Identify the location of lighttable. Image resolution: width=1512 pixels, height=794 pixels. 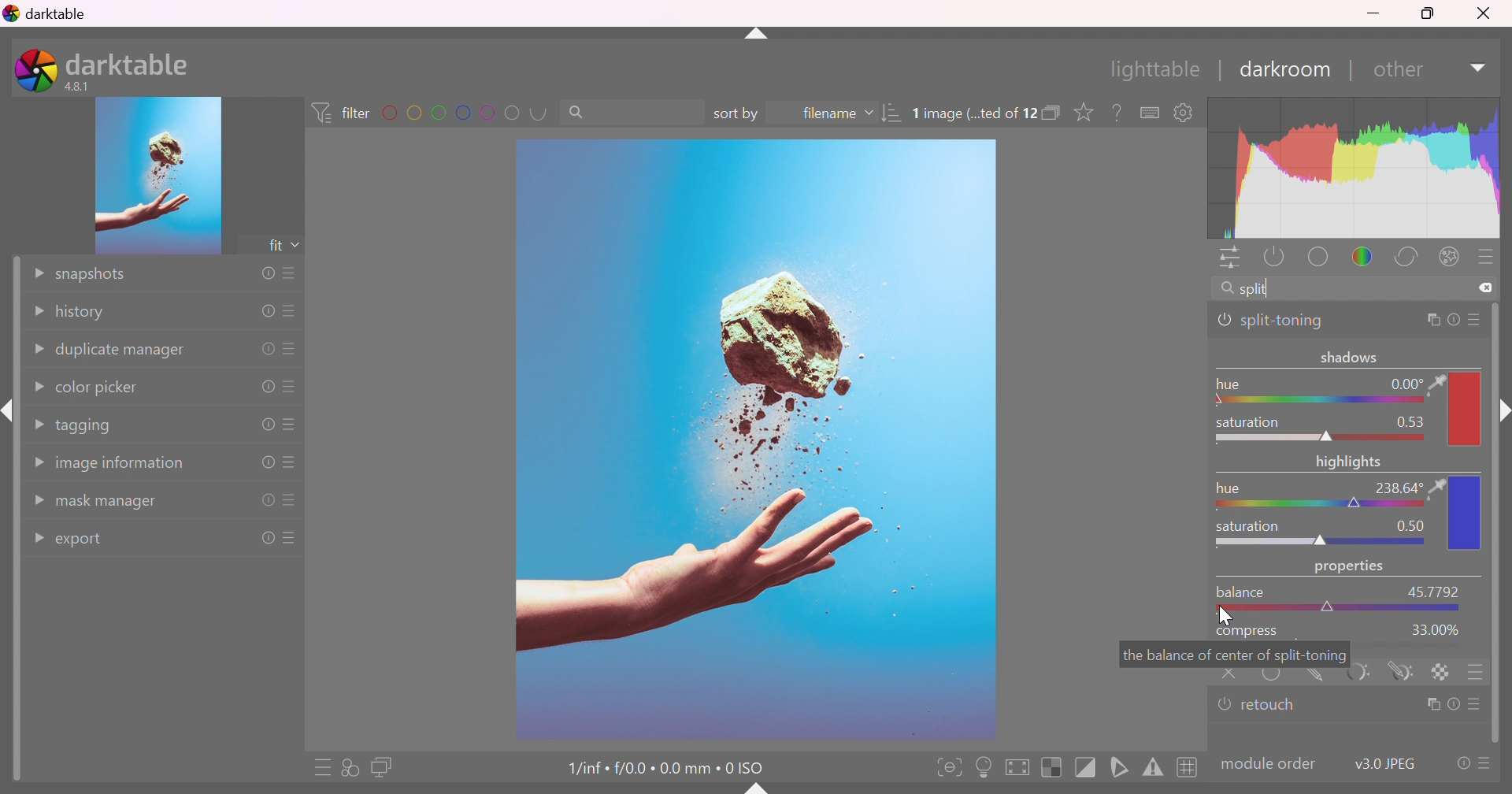
(1151, 70).